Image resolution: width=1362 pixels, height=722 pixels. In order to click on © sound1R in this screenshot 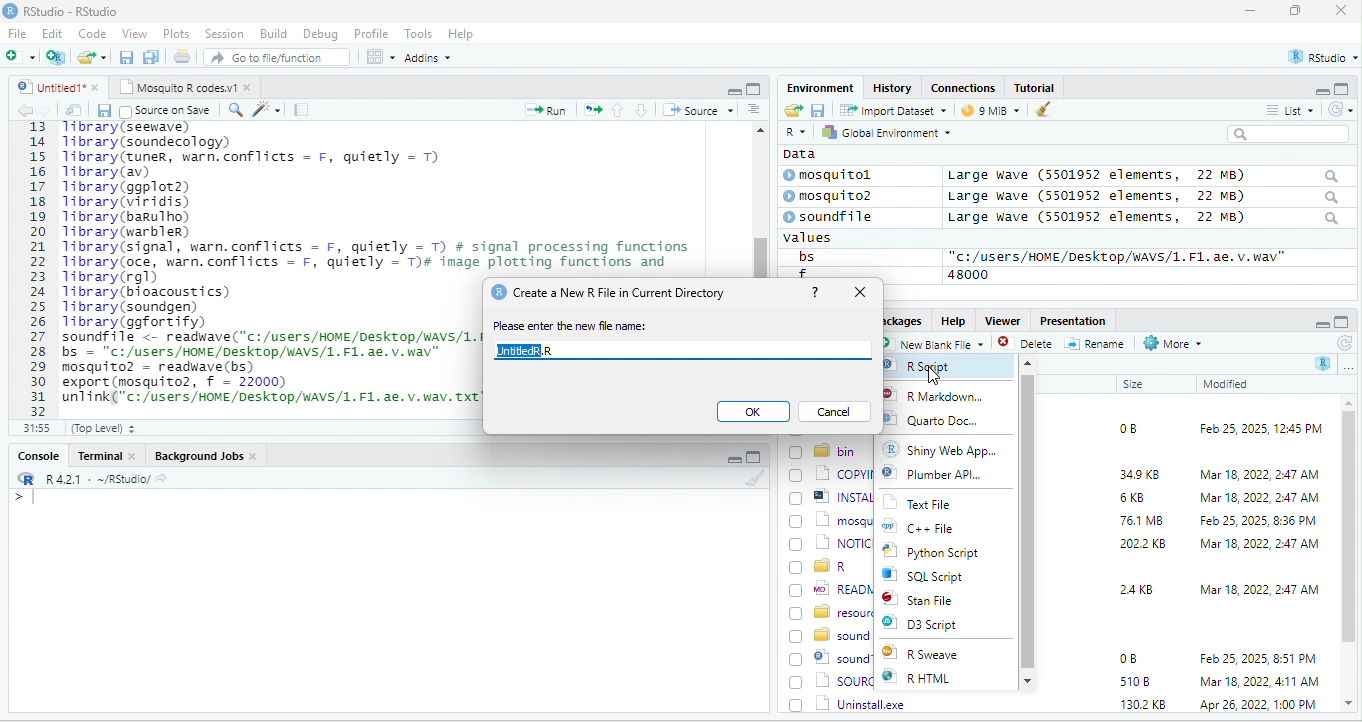, I will do `click(830, 659)`.